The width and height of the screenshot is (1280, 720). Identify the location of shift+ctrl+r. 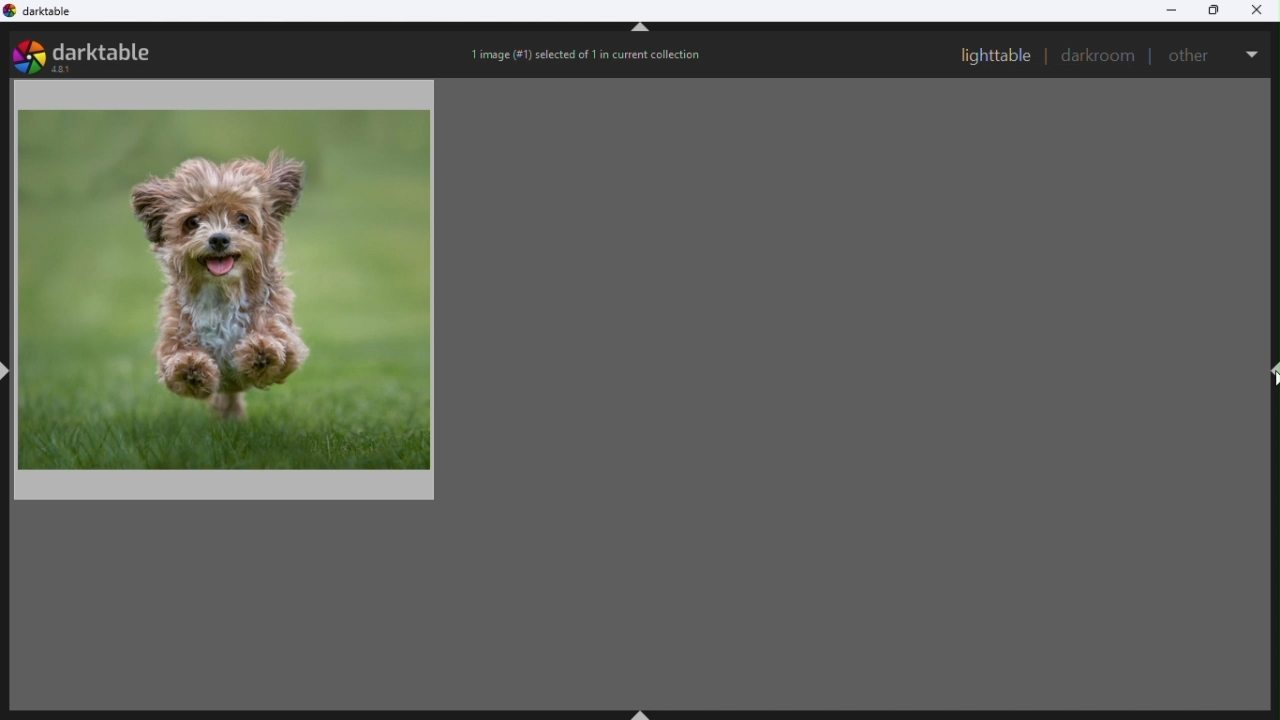
(1272, 372).